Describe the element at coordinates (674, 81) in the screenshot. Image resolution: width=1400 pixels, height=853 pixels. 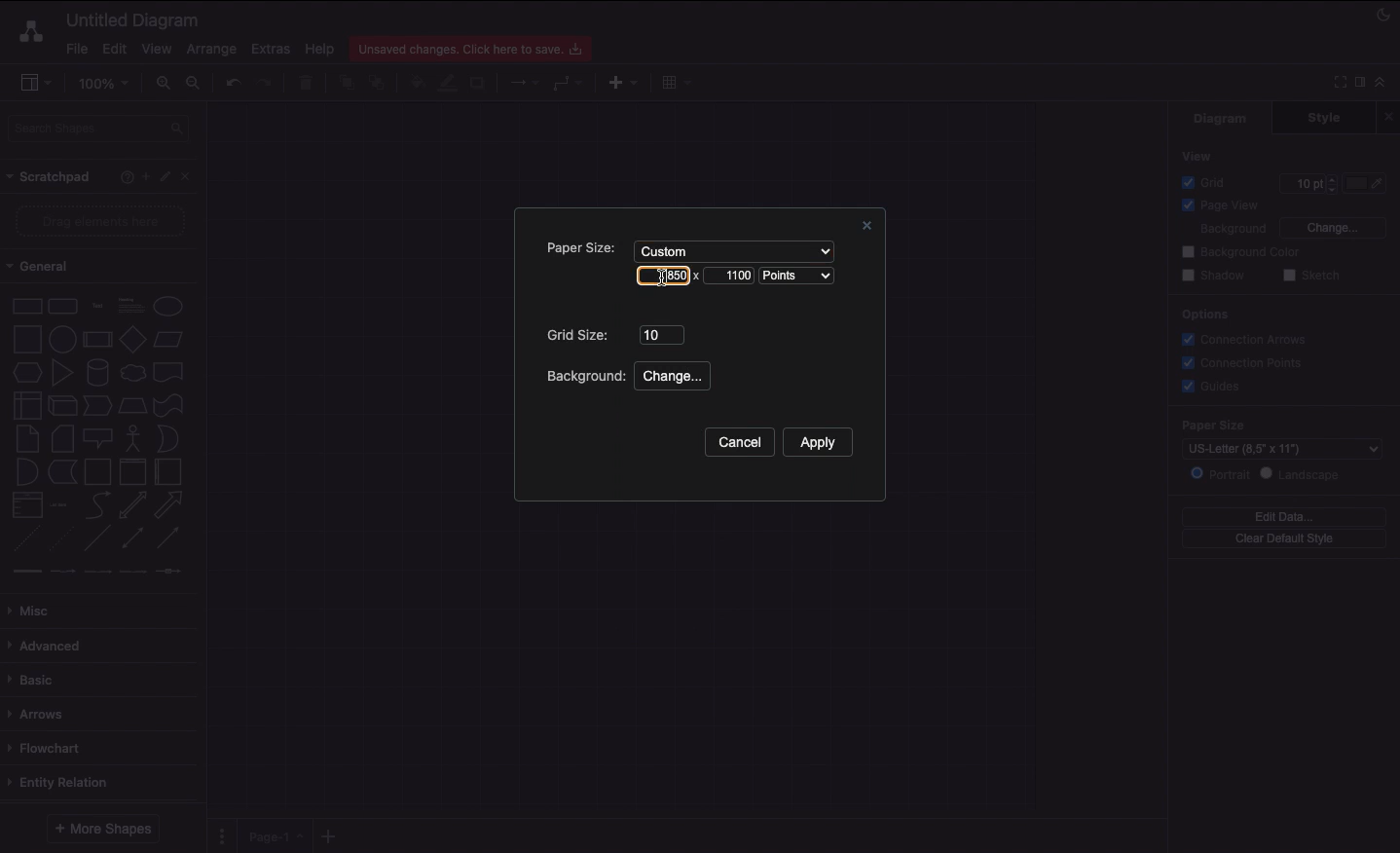
I see `Table` at that location.